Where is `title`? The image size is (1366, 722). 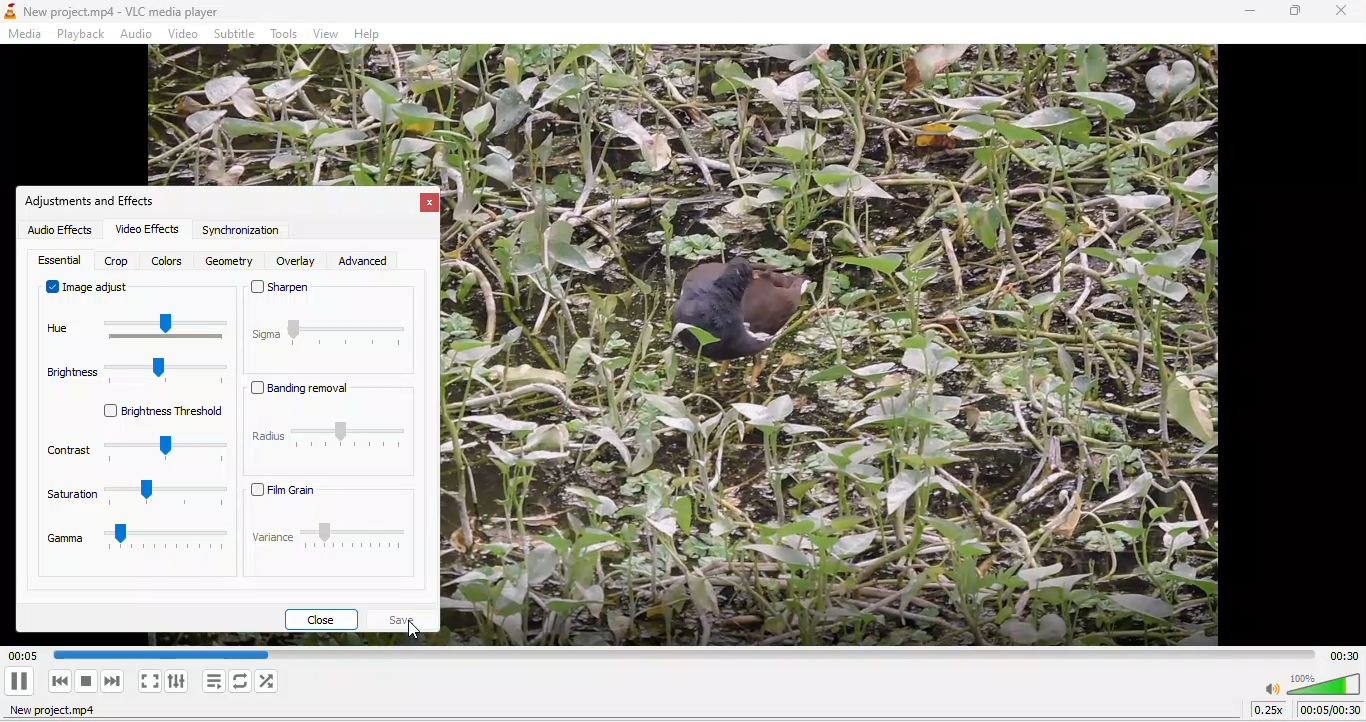 title is located at coordinates (119, 12).